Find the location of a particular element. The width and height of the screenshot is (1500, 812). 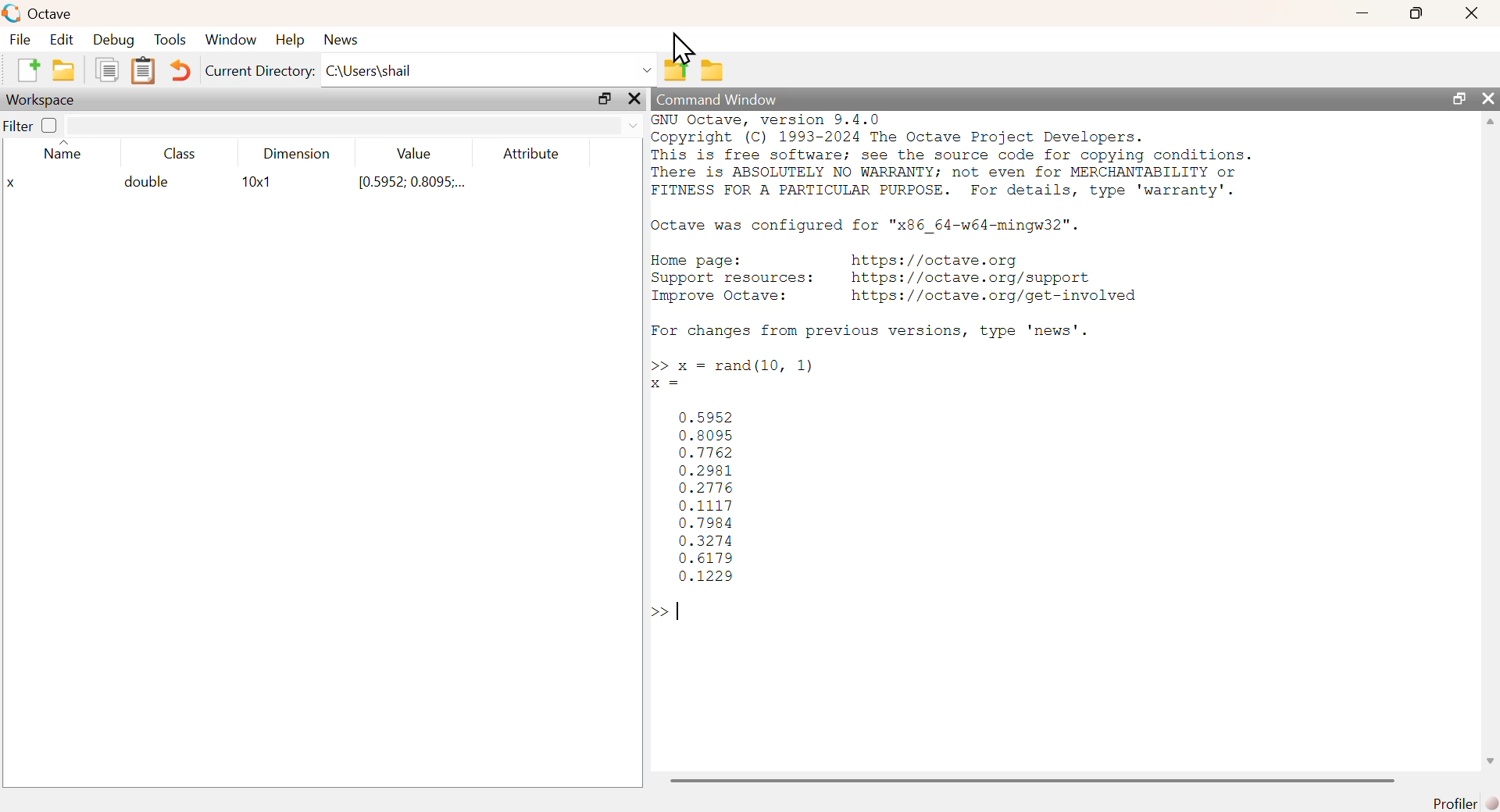

close is located at coordinates (634, 98).